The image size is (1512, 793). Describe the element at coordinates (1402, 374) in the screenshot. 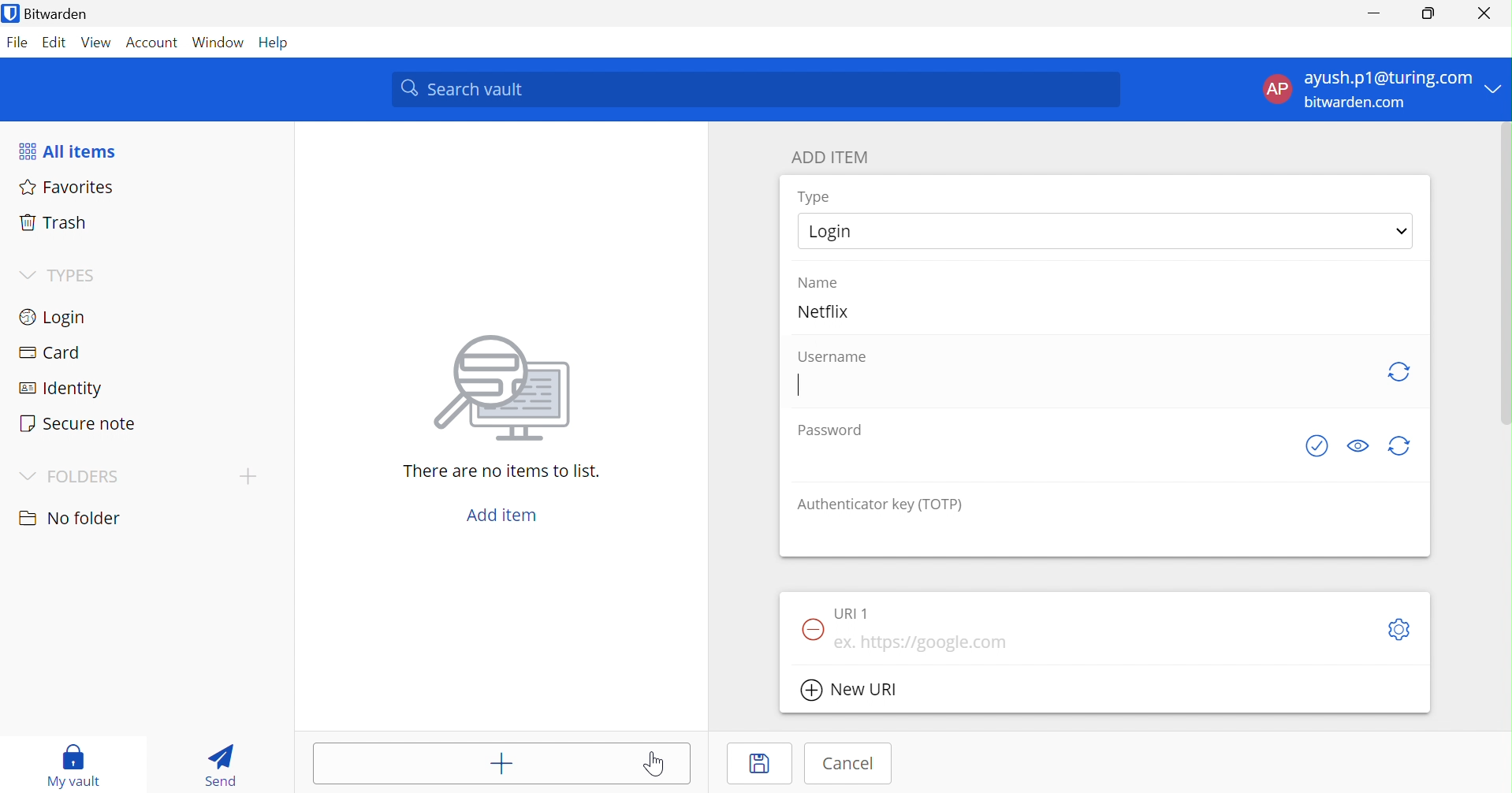

I see `Refresh` at that location.